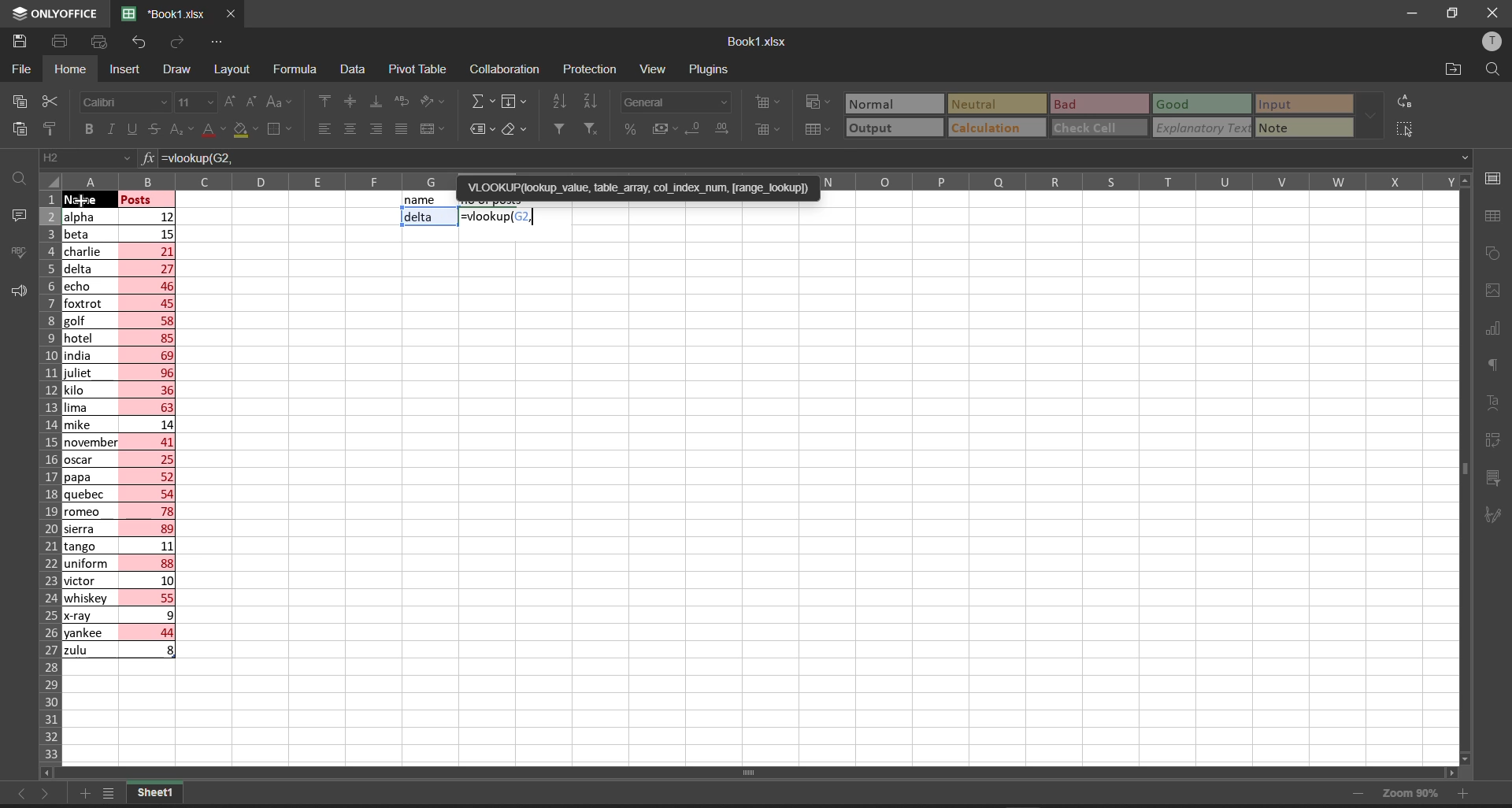 The height and width of the screenshot is (808, 1512). I want to click on conditional formatting, so click(817, 101).